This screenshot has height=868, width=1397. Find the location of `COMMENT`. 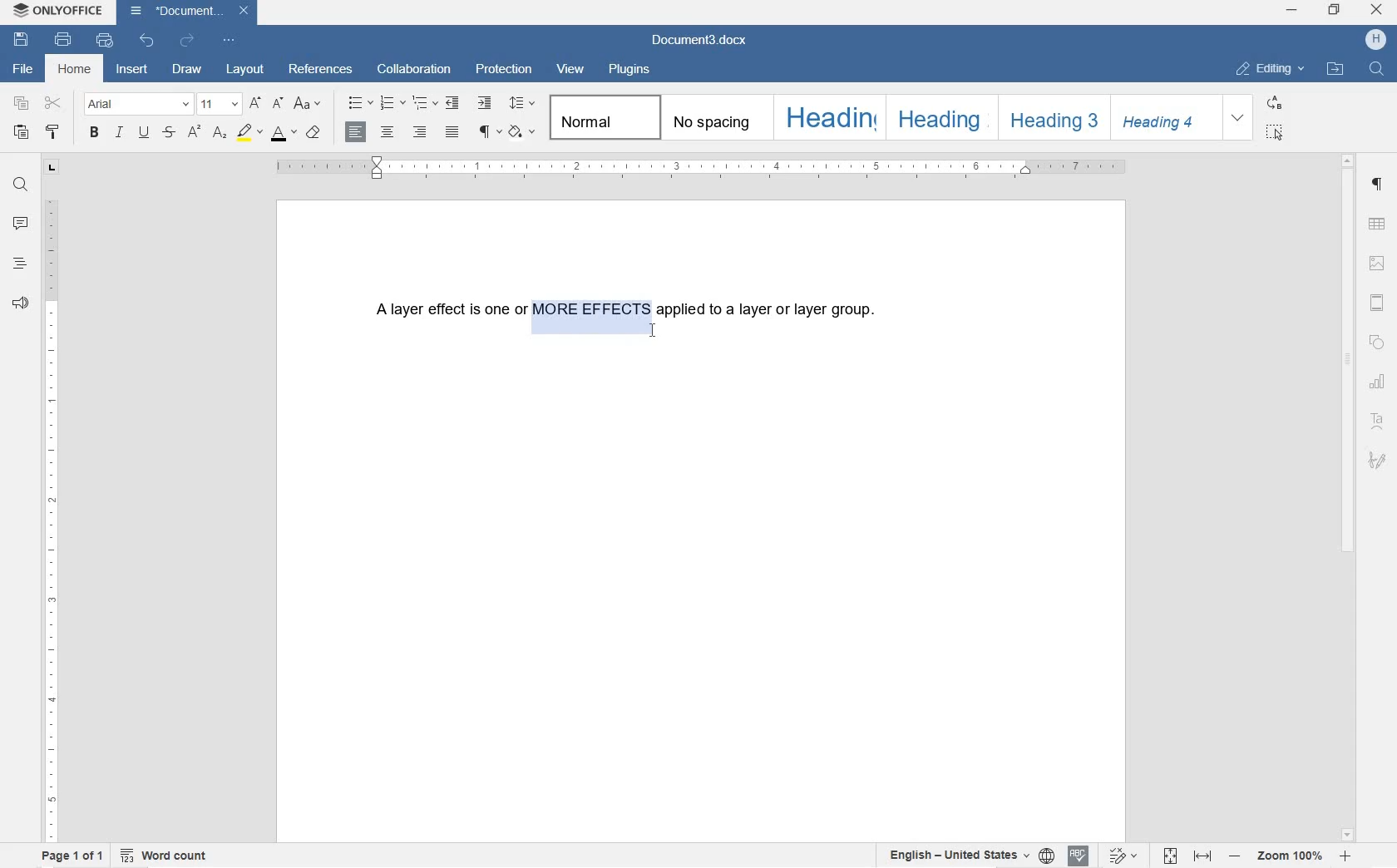

COMMENT is located at coordinates (21, 225).